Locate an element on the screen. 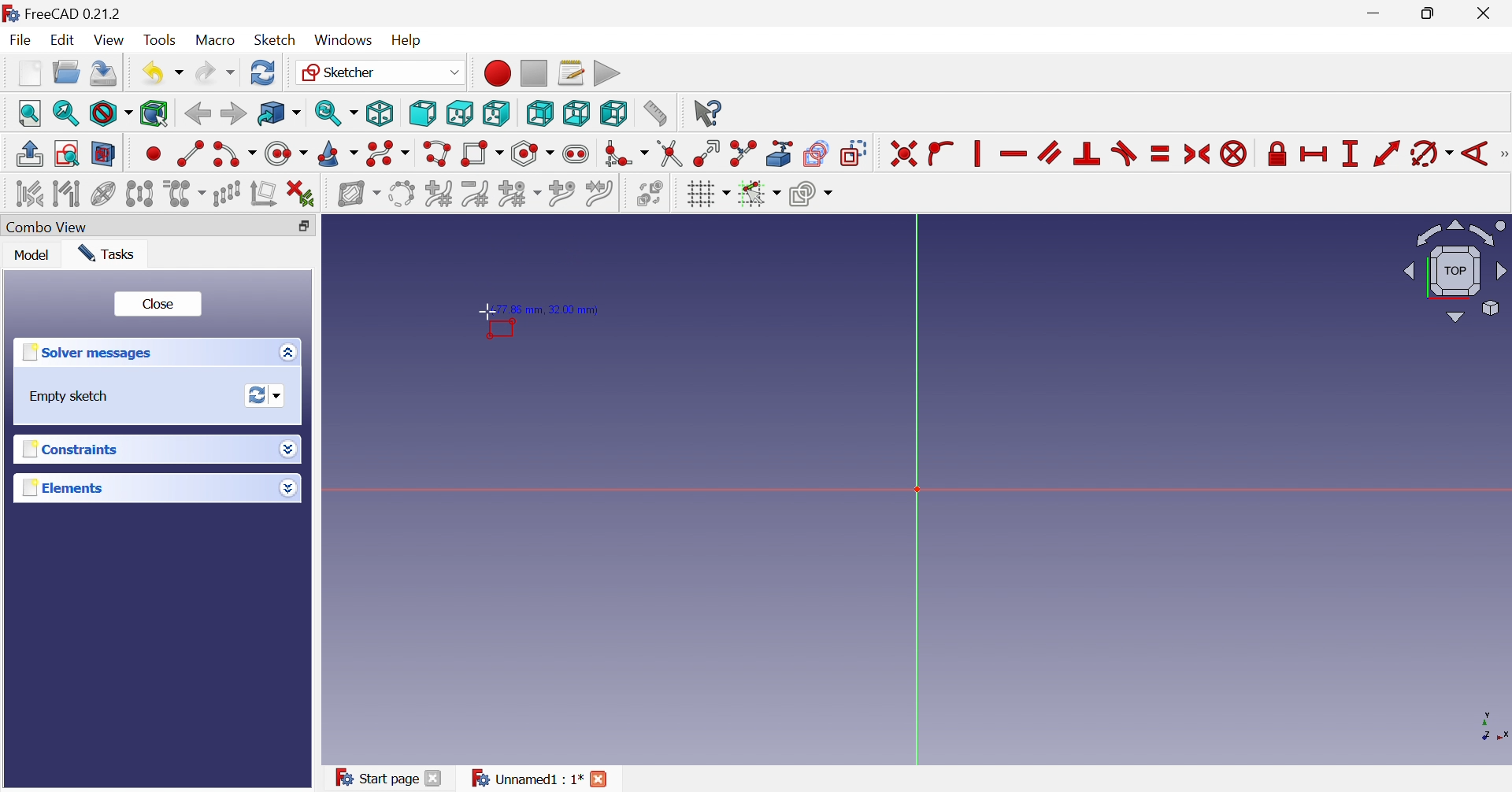  Leave sketch is located at coordinates (28, 154).